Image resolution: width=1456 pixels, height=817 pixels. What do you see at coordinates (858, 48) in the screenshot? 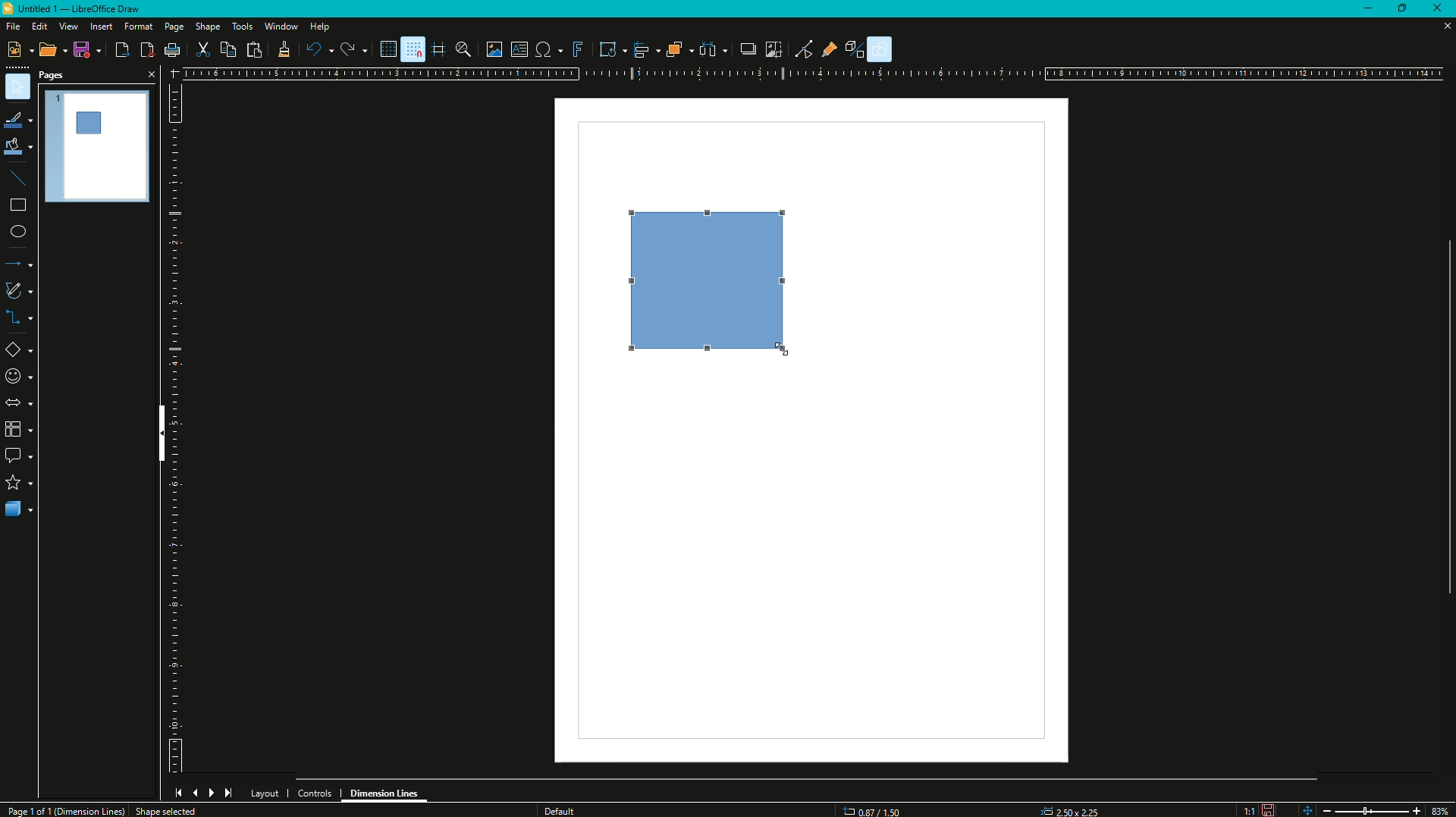
I see `Toggle Extrusion` at bounding box center [858, 48].